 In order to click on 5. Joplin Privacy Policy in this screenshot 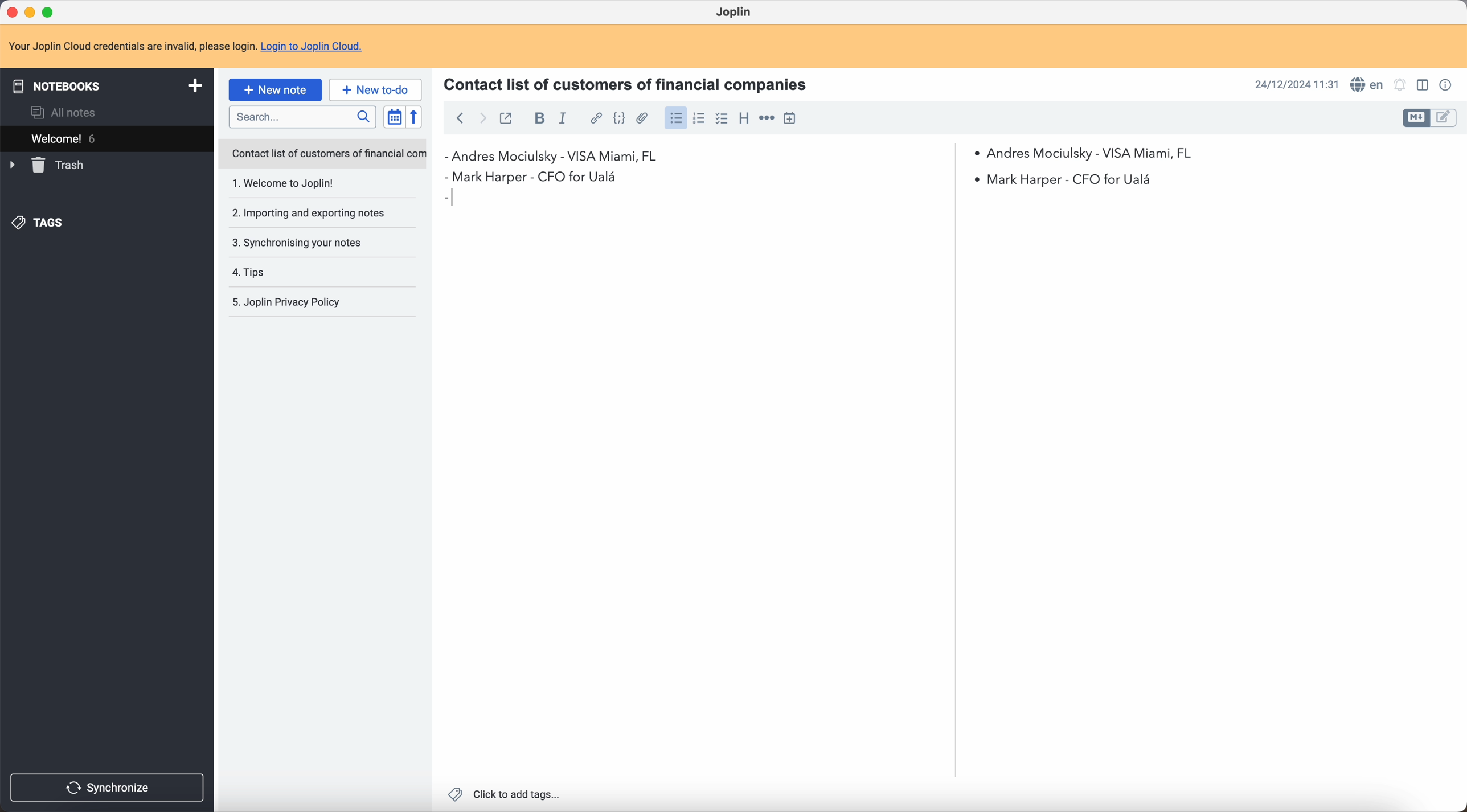, I will do `click(294, 303)`.